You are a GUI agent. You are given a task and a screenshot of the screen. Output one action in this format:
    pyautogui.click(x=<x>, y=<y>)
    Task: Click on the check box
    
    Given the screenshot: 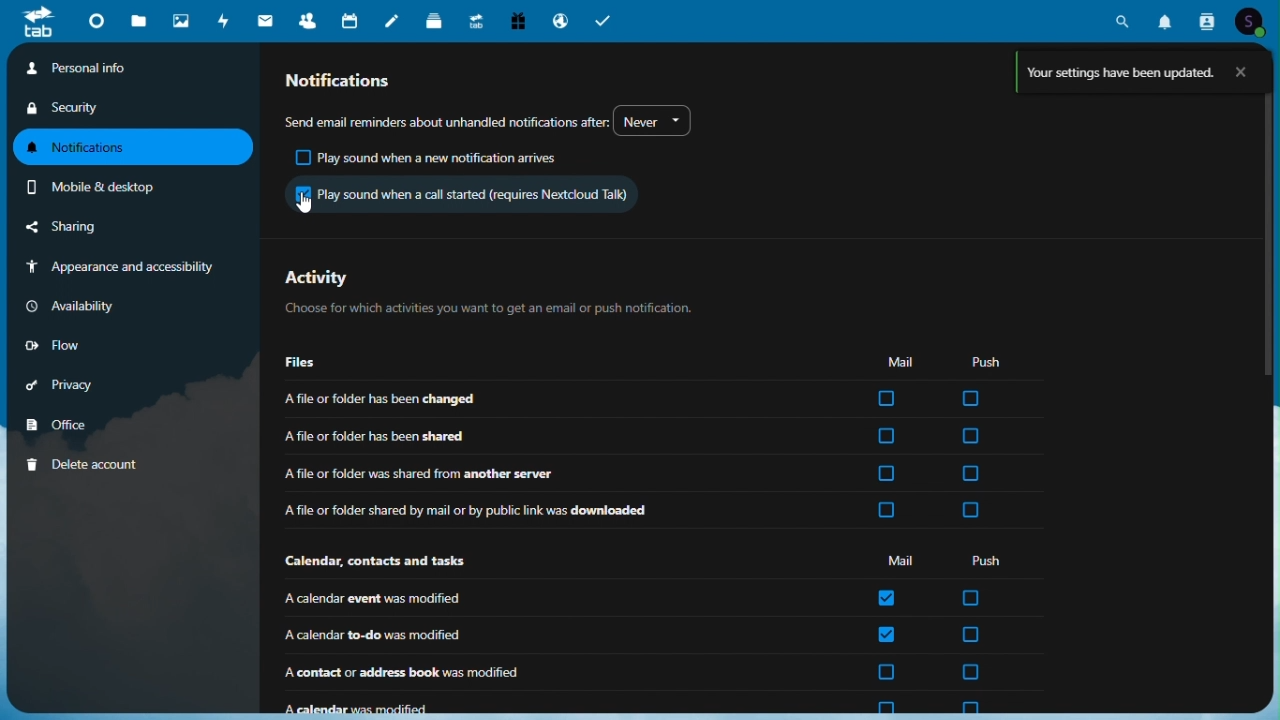 What is the action you would take?
    pyautogui.click(x=971, y=474)
    